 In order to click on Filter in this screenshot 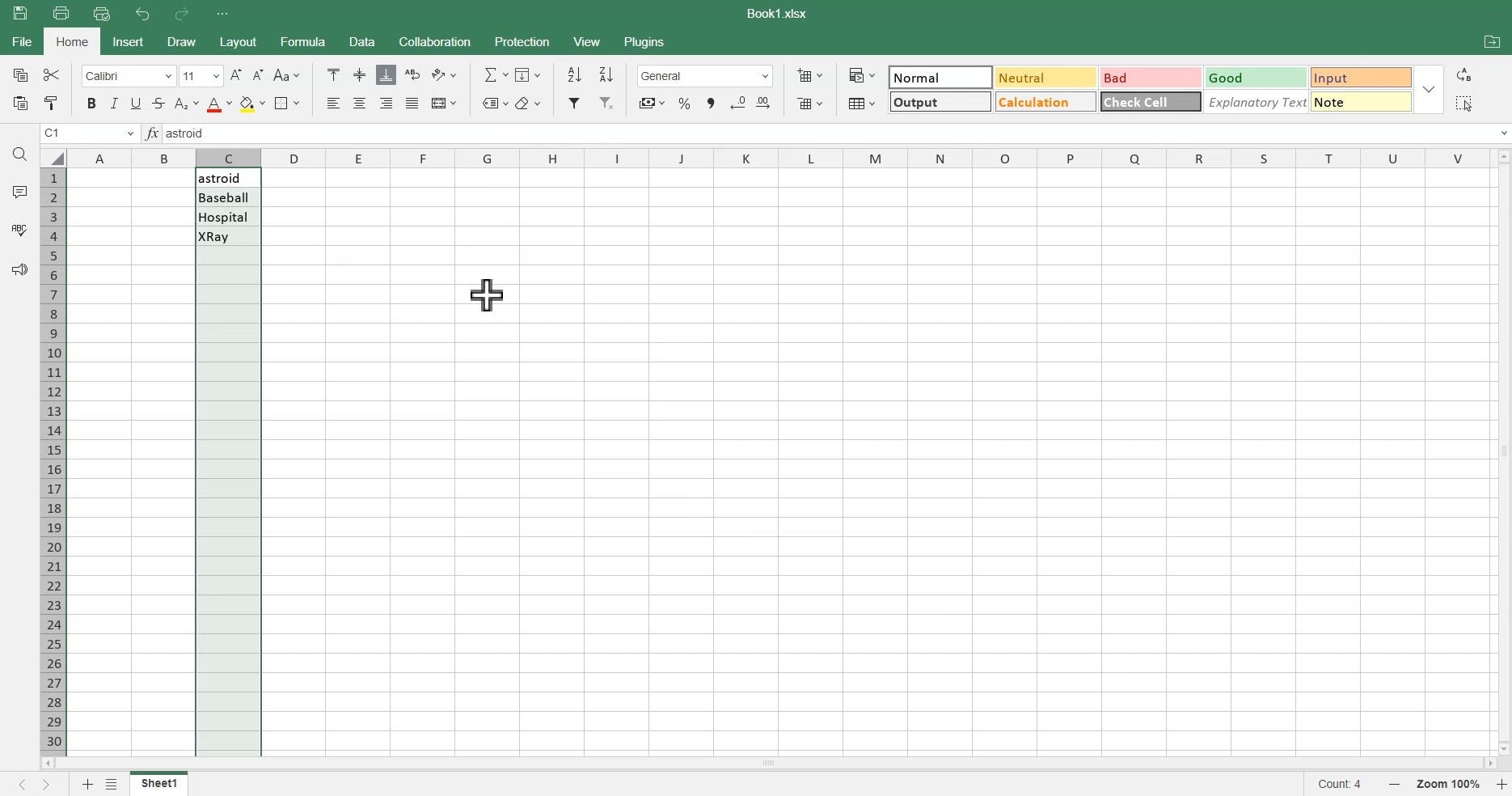, I will do `click(575, 103)`.